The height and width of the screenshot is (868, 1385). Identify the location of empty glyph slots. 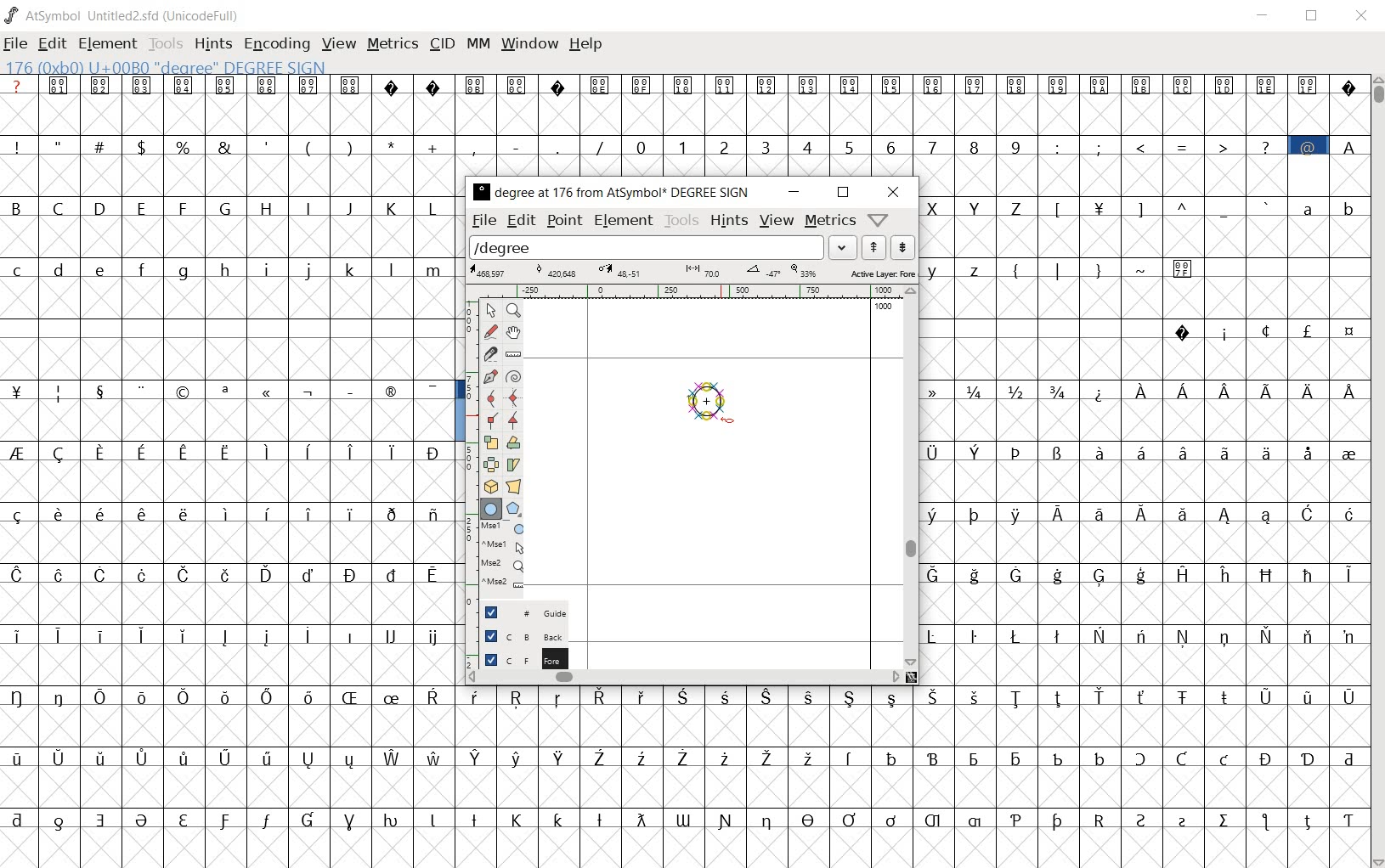
(911, 786).